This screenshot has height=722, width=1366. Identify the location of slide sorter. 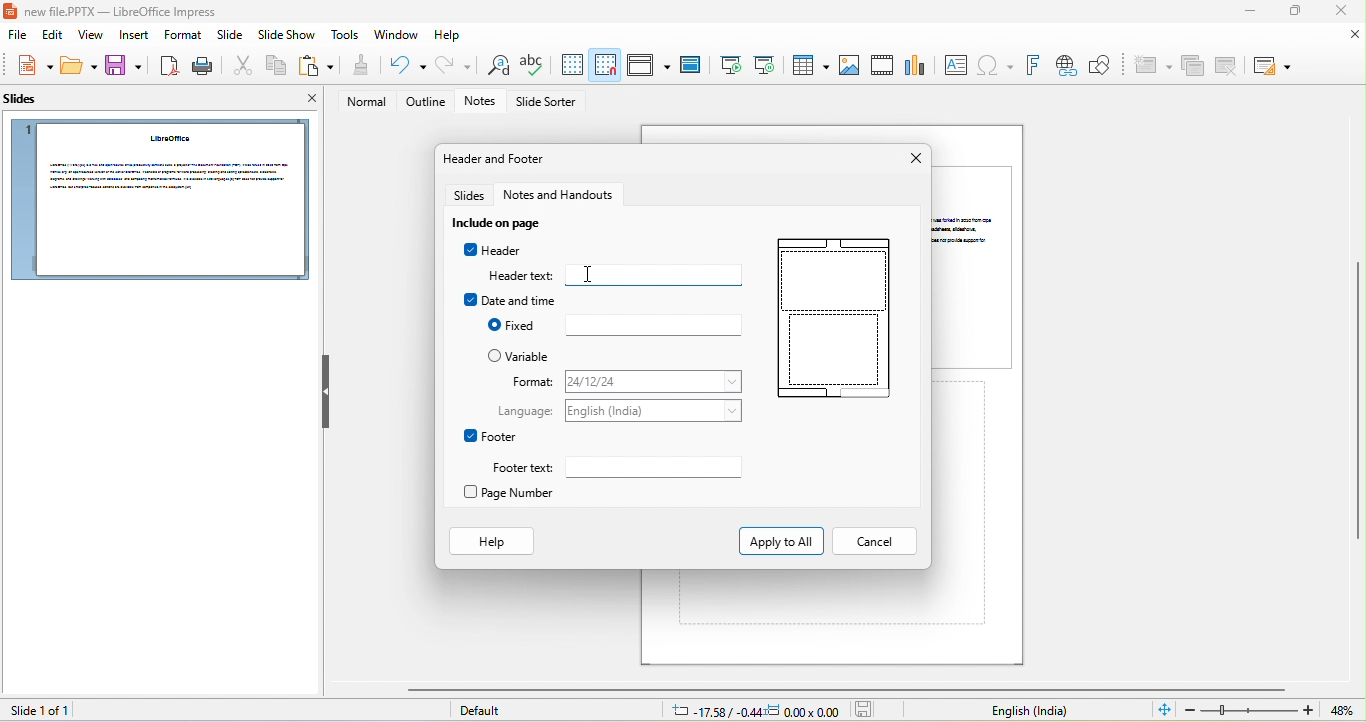
(549, 103).